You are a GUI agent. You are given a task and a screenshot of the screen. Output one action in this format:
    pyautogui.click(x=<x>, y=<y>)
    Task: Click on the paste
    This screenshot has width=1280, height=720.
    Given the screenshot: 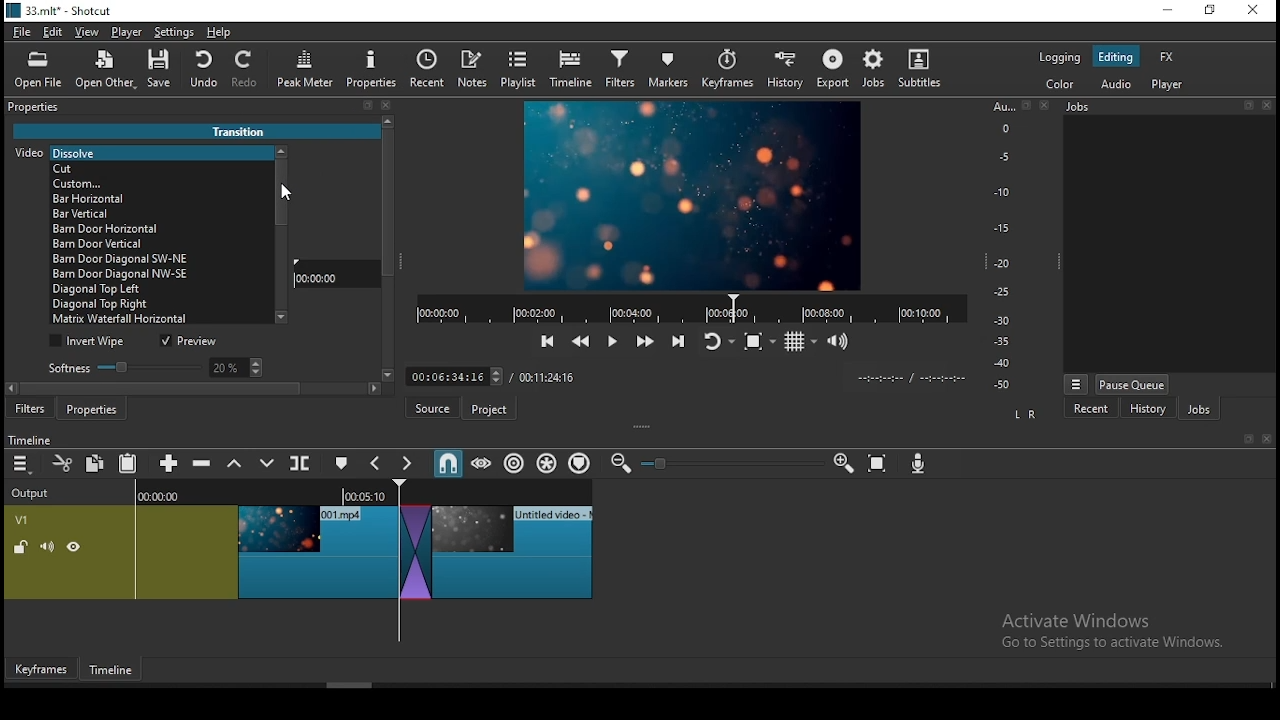 What is the action you would take?
    pyautogui.click(x=131, y=465)
    